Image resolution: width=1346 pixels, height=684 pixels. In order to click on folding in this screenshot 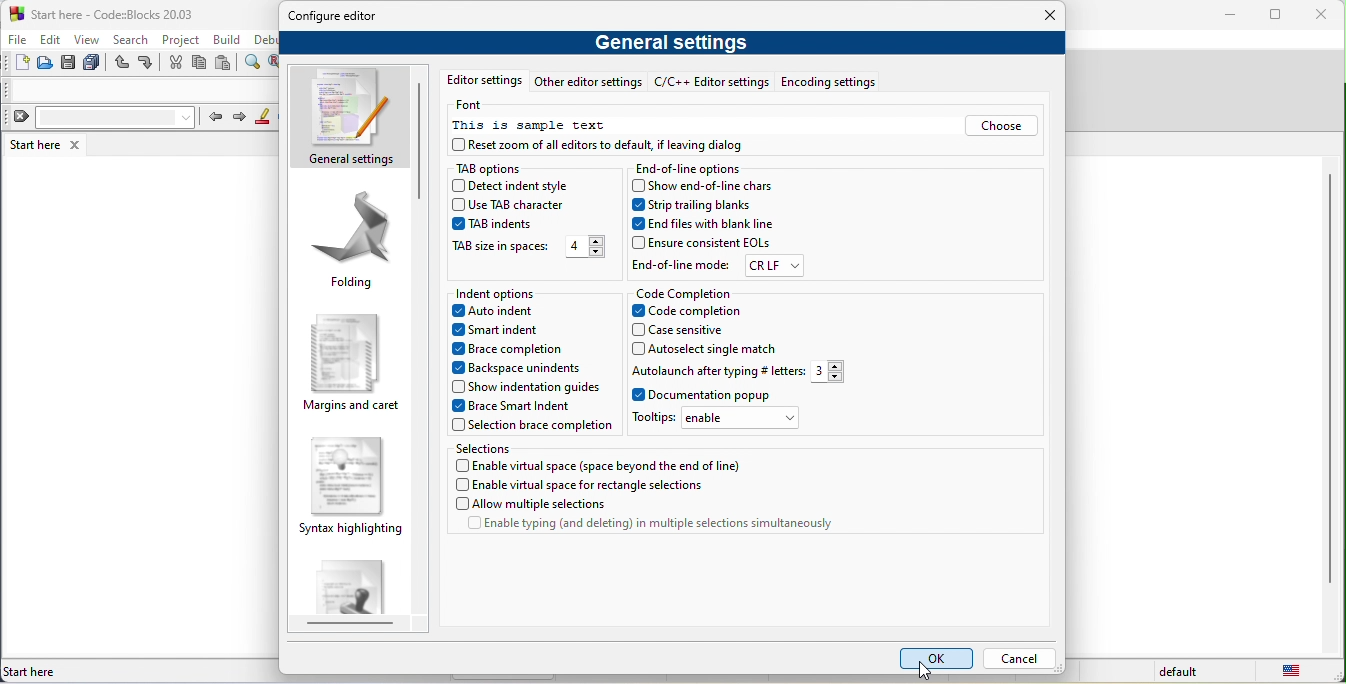, I will do `click(355, 243)`.